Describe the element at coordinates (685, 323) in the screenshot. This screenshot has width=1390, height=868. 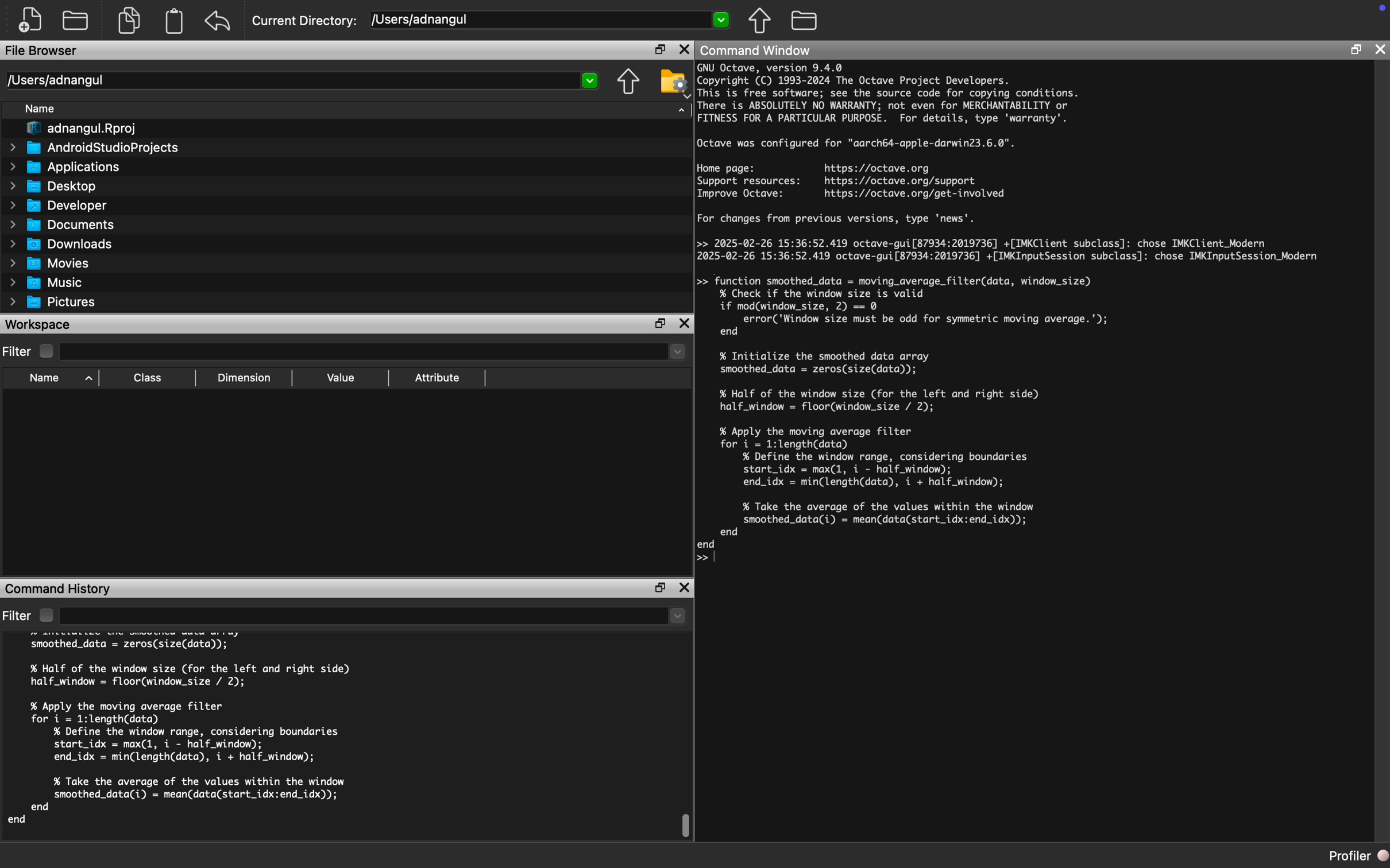
I see `Close` at that location.